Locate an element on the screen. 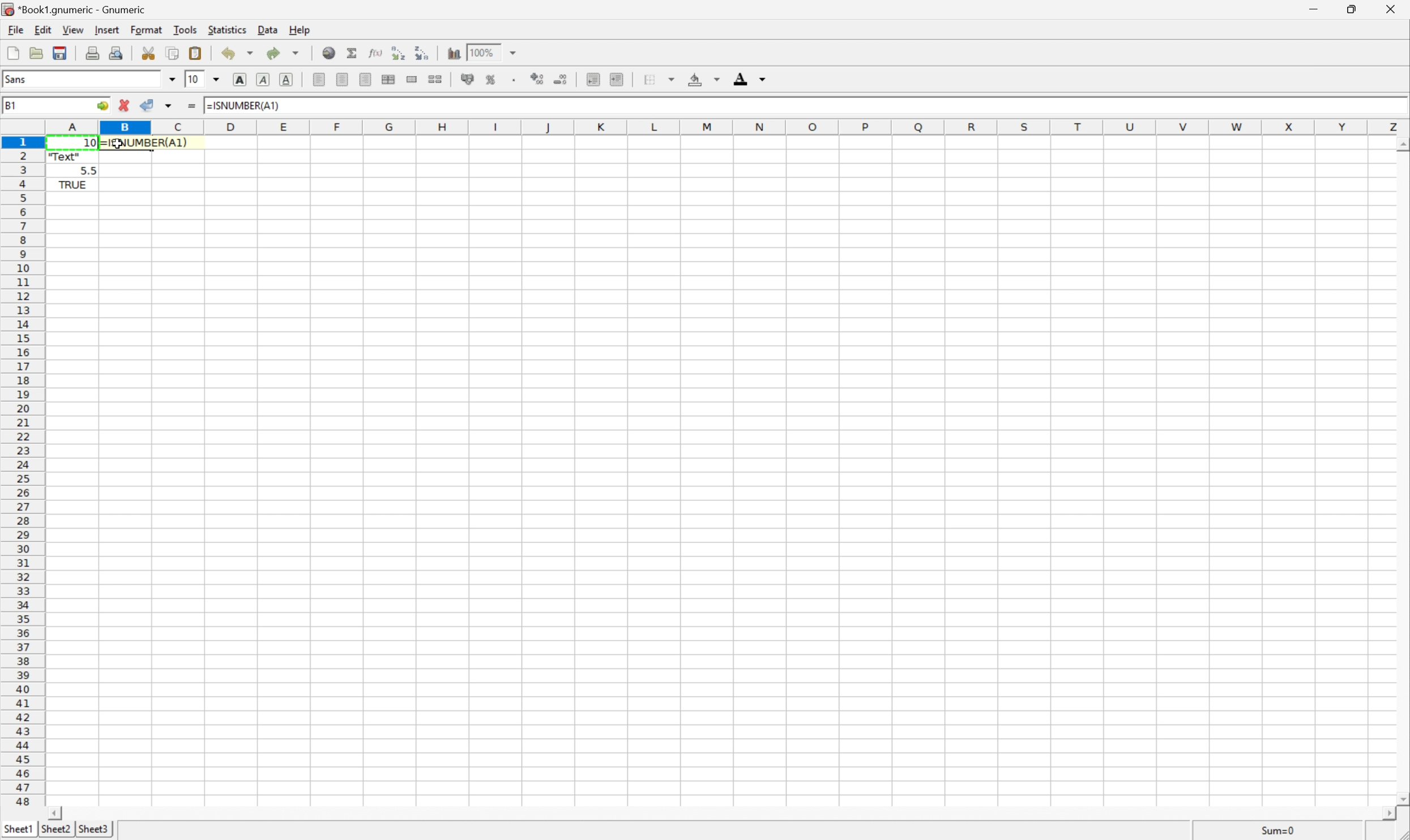  10 is located at coordinates (194, 79).